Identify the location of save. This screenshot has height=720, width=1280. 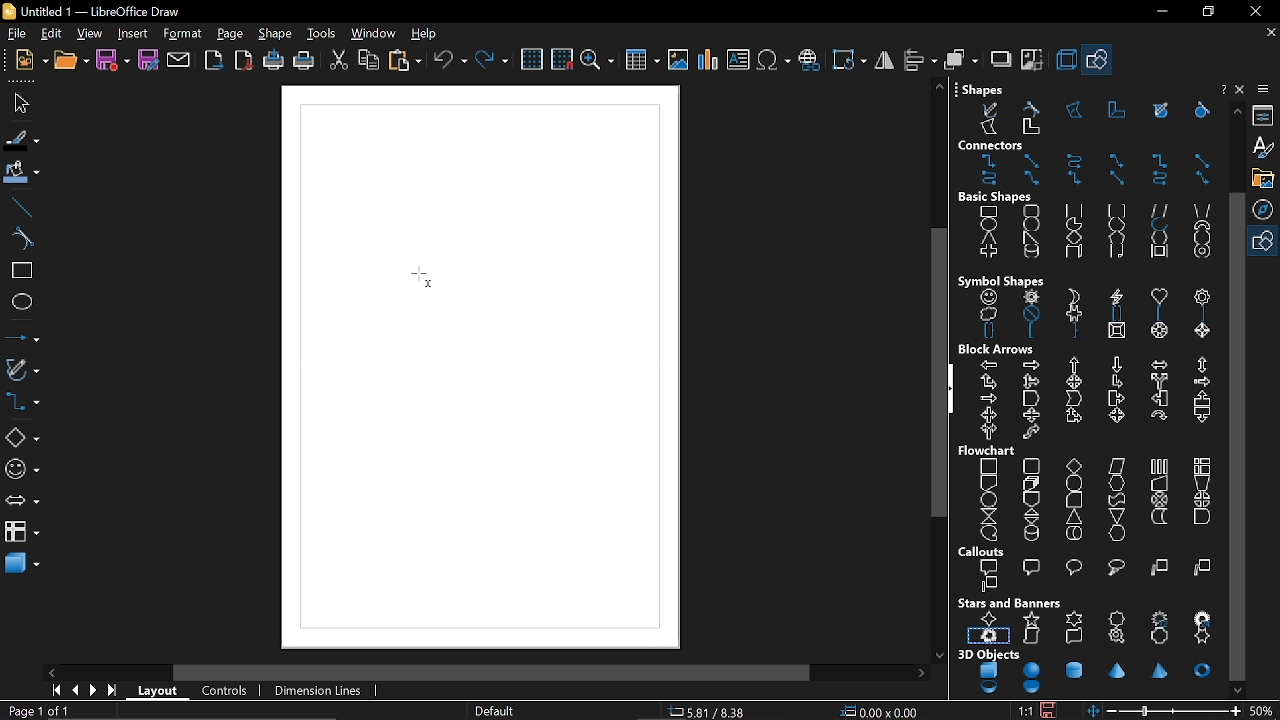
(1053, 708).